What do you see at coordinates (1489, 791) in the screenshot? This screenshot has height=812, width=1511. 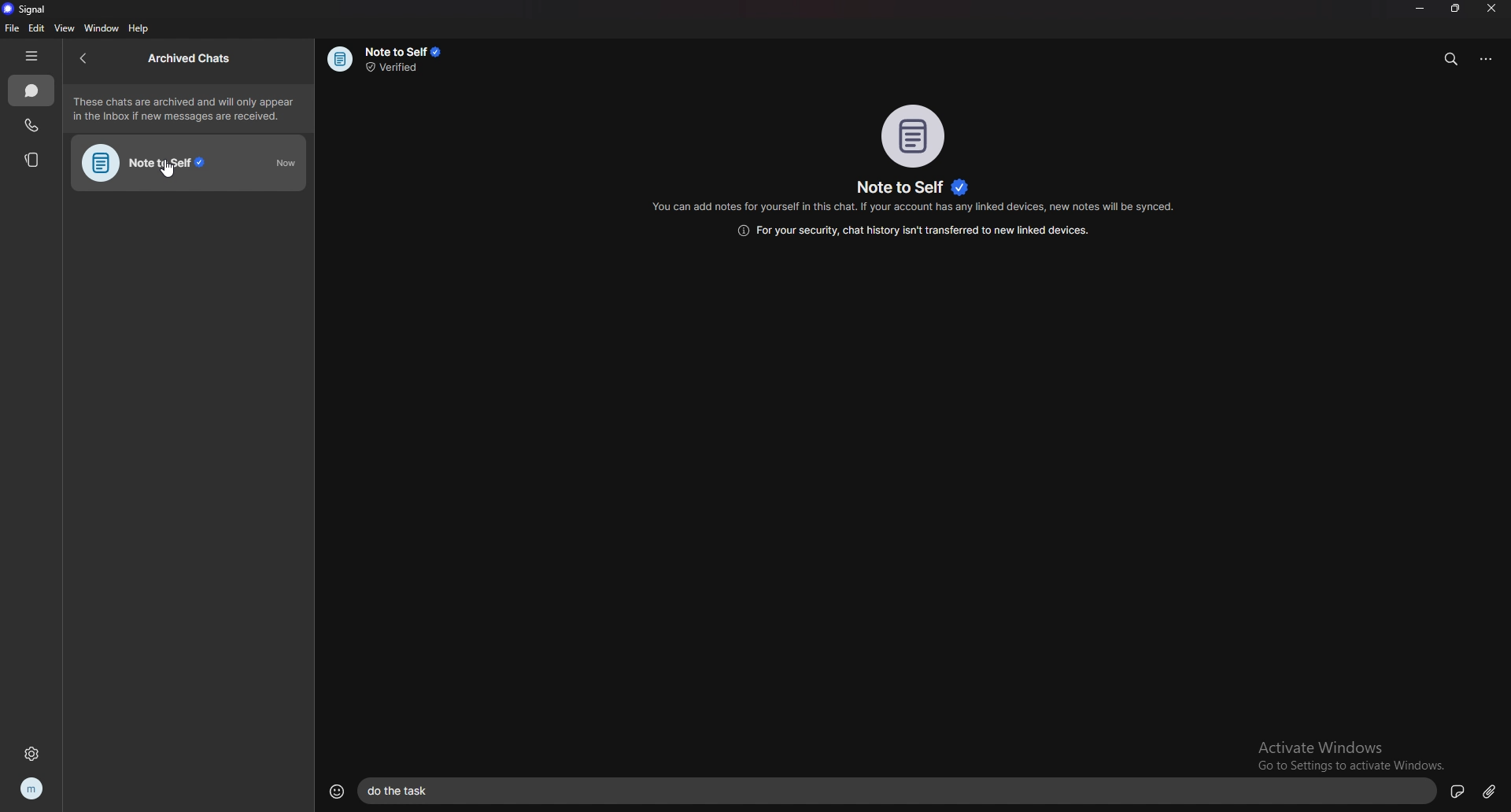 I see `attachment` at bounding box center [1489, 791].